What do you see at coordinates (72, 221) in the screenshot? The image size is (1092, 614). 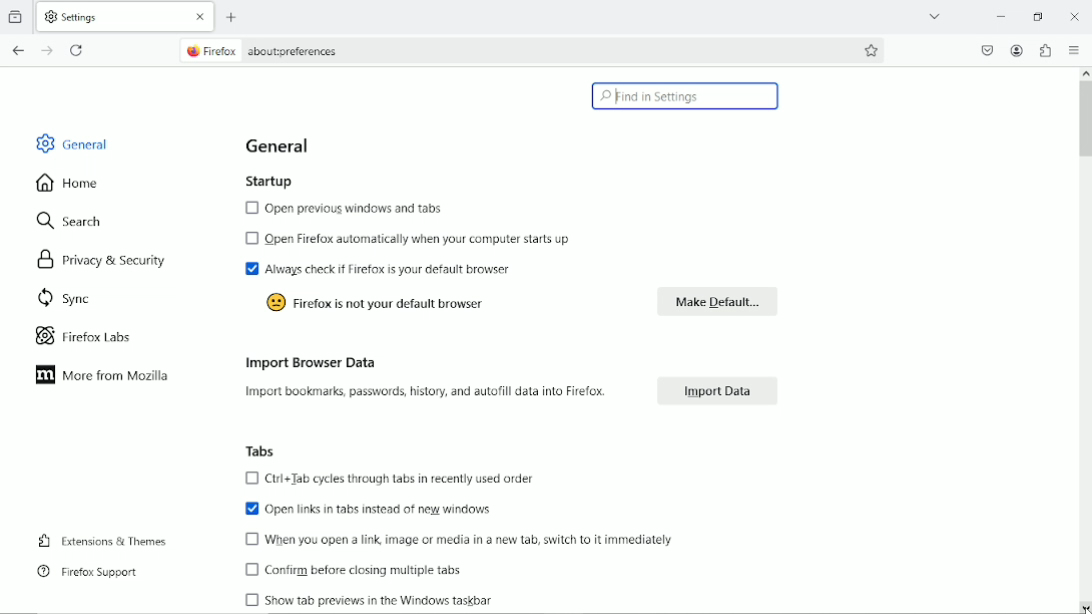 I see `search` at bounding box center [72, 221].